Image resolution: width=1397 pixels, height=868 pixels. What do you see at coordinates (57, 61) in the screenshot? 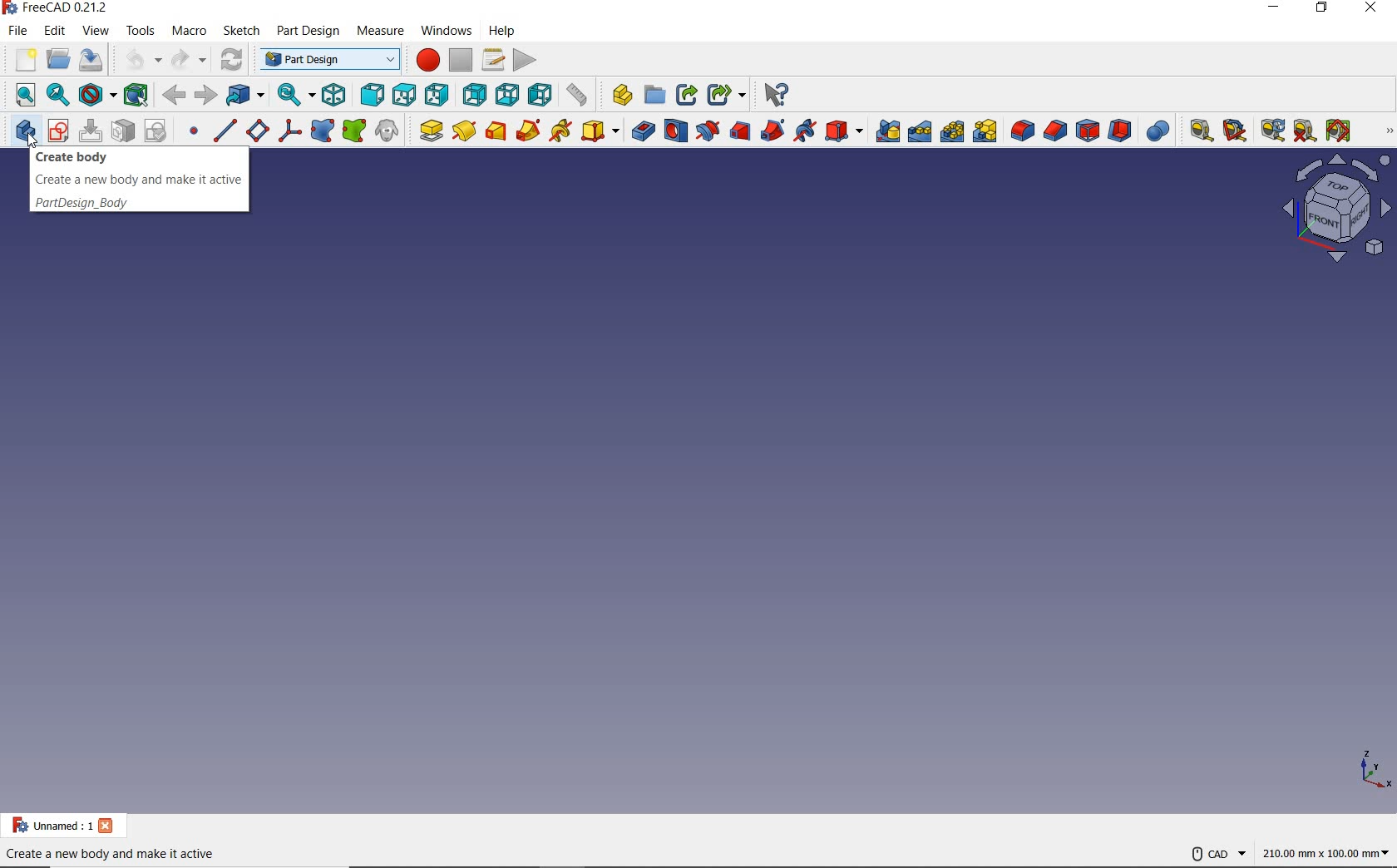
I see `open` at bounding box center [57, 61].